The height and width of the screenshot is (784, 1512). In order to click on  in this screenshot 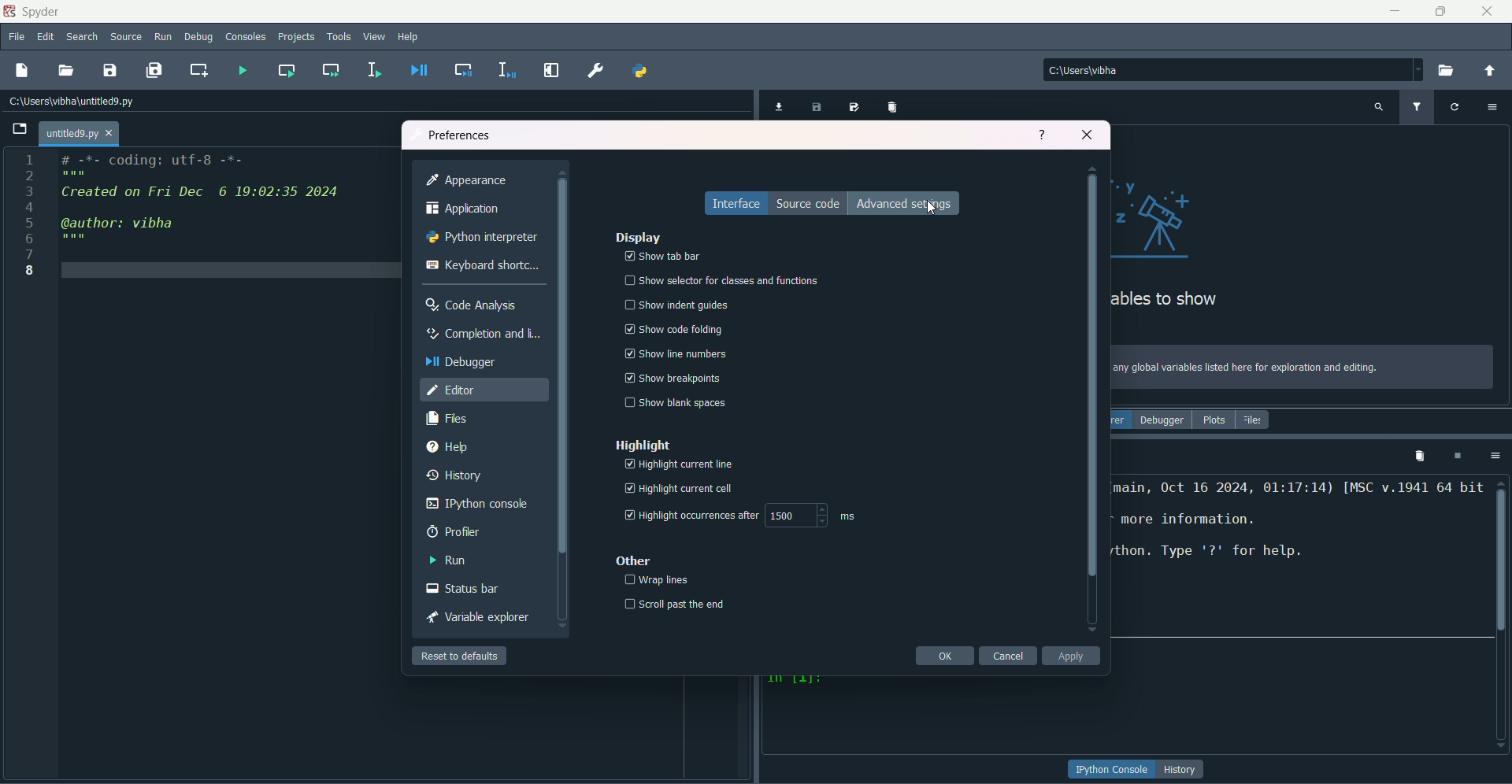, I will do `click(297, 39)`.